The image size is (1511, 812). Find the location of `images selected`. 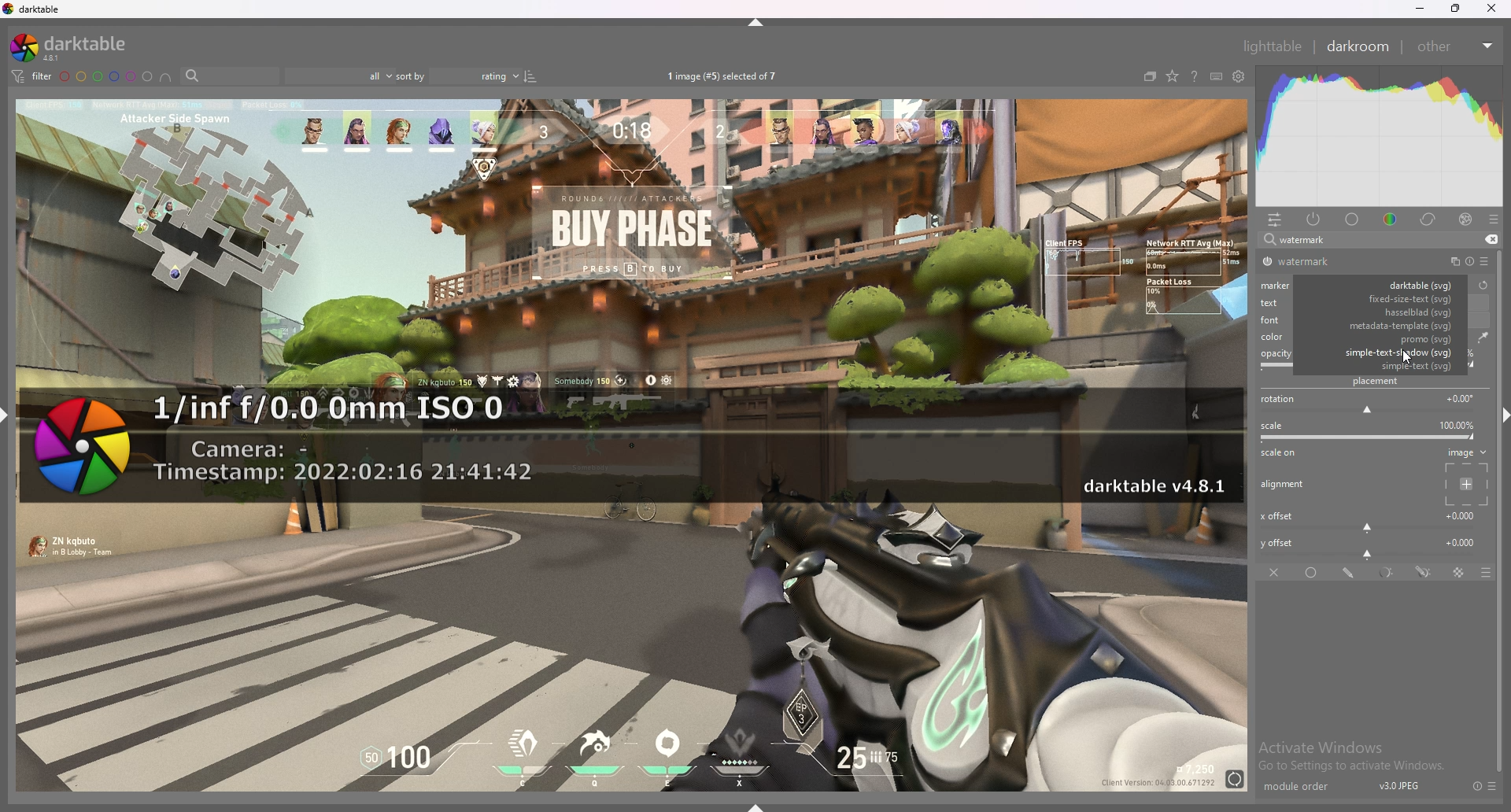

images selected is located at coordinates (725, 76).